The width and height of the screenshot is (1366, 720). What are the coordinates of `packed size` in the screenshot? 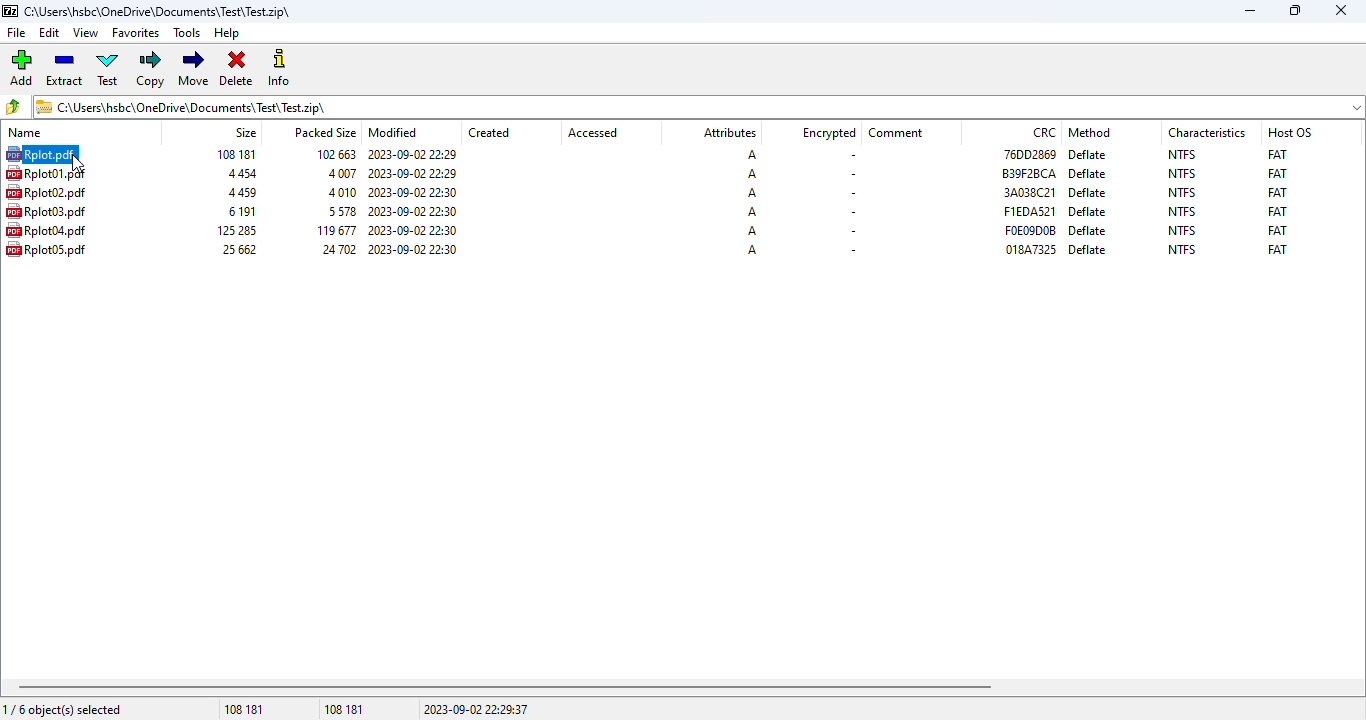 It's located at (324, 131).